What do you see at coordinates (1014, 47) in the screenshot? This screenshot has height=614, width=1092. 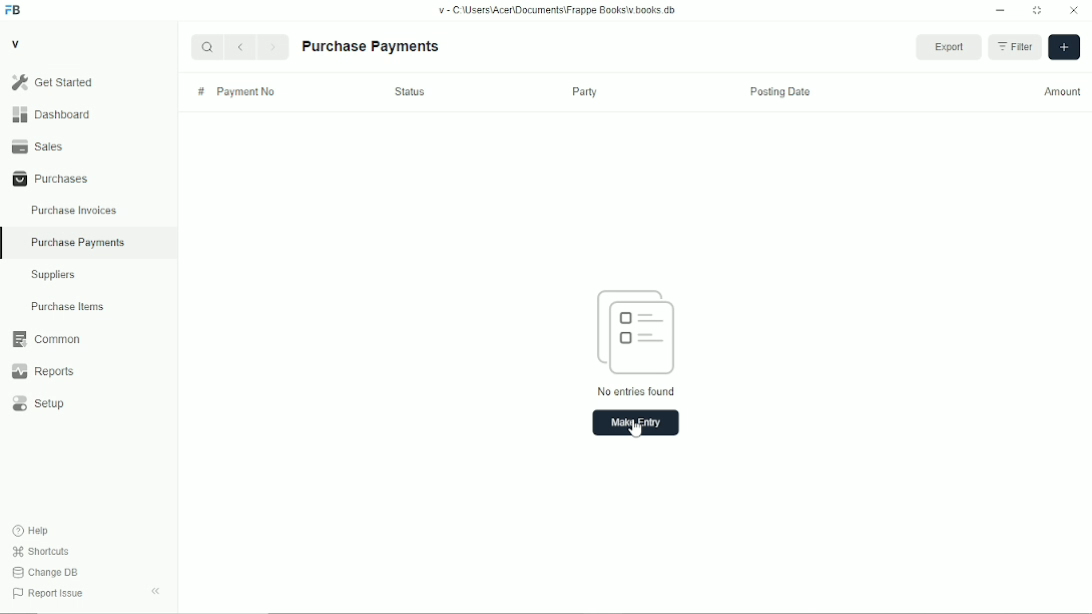 I see `Filter` at bounding box center [1014, 47].